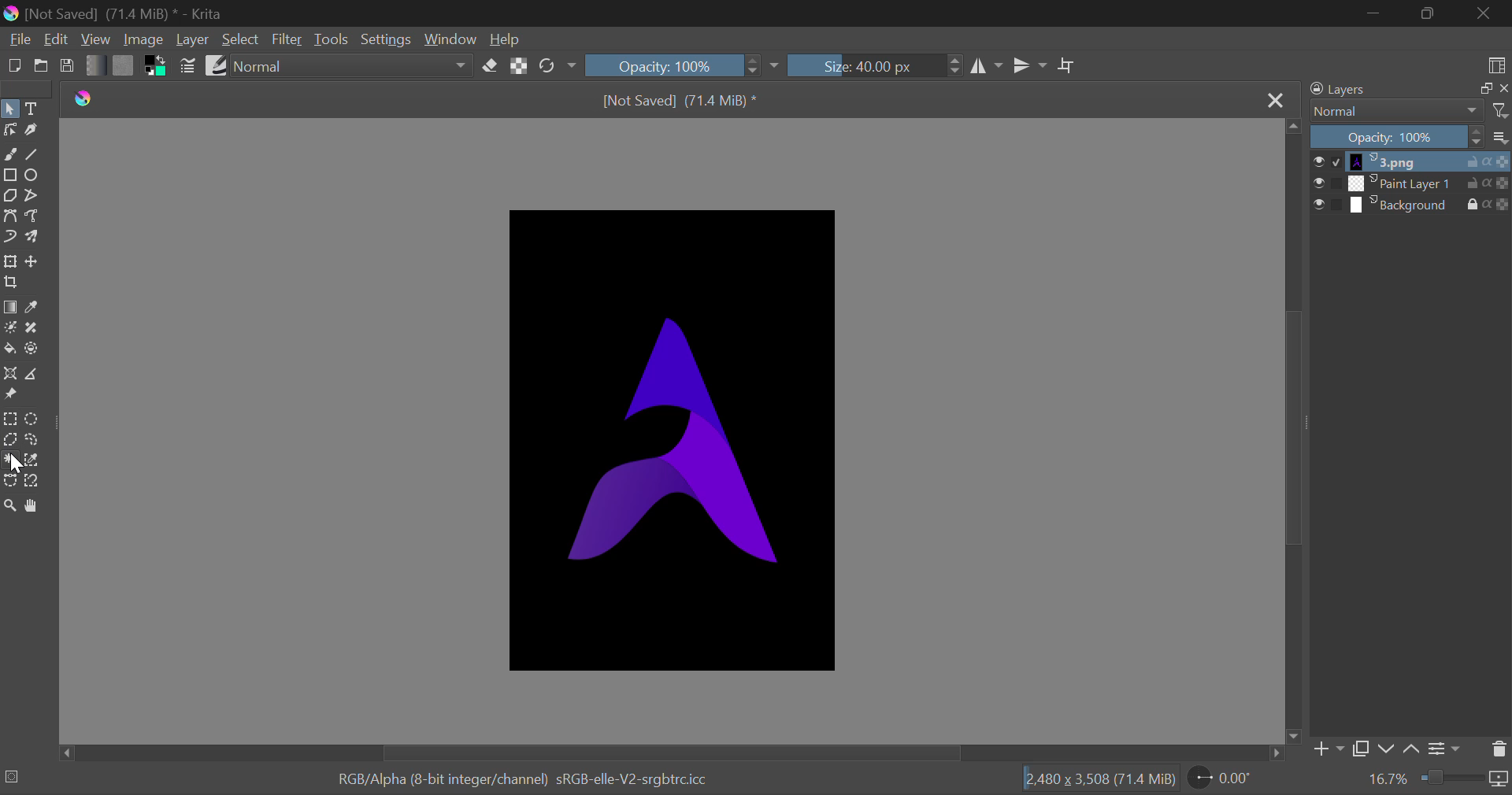 The image size is (1512, 795). I want to click on Open, so click(41, 66).